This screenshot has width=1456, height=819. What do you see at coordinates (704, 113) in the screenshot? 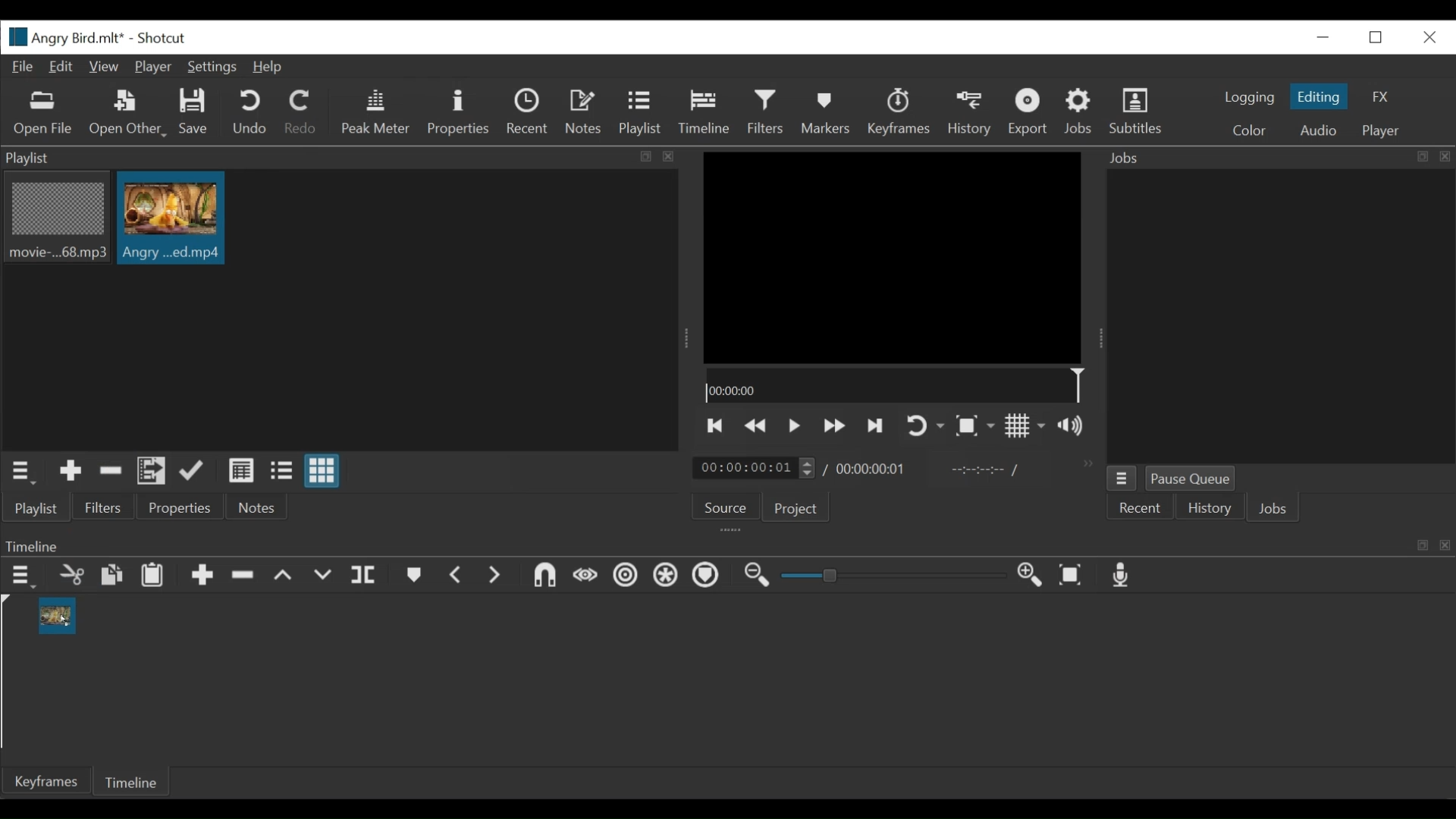
I see `Timeline` at bounding box center [704, 113].